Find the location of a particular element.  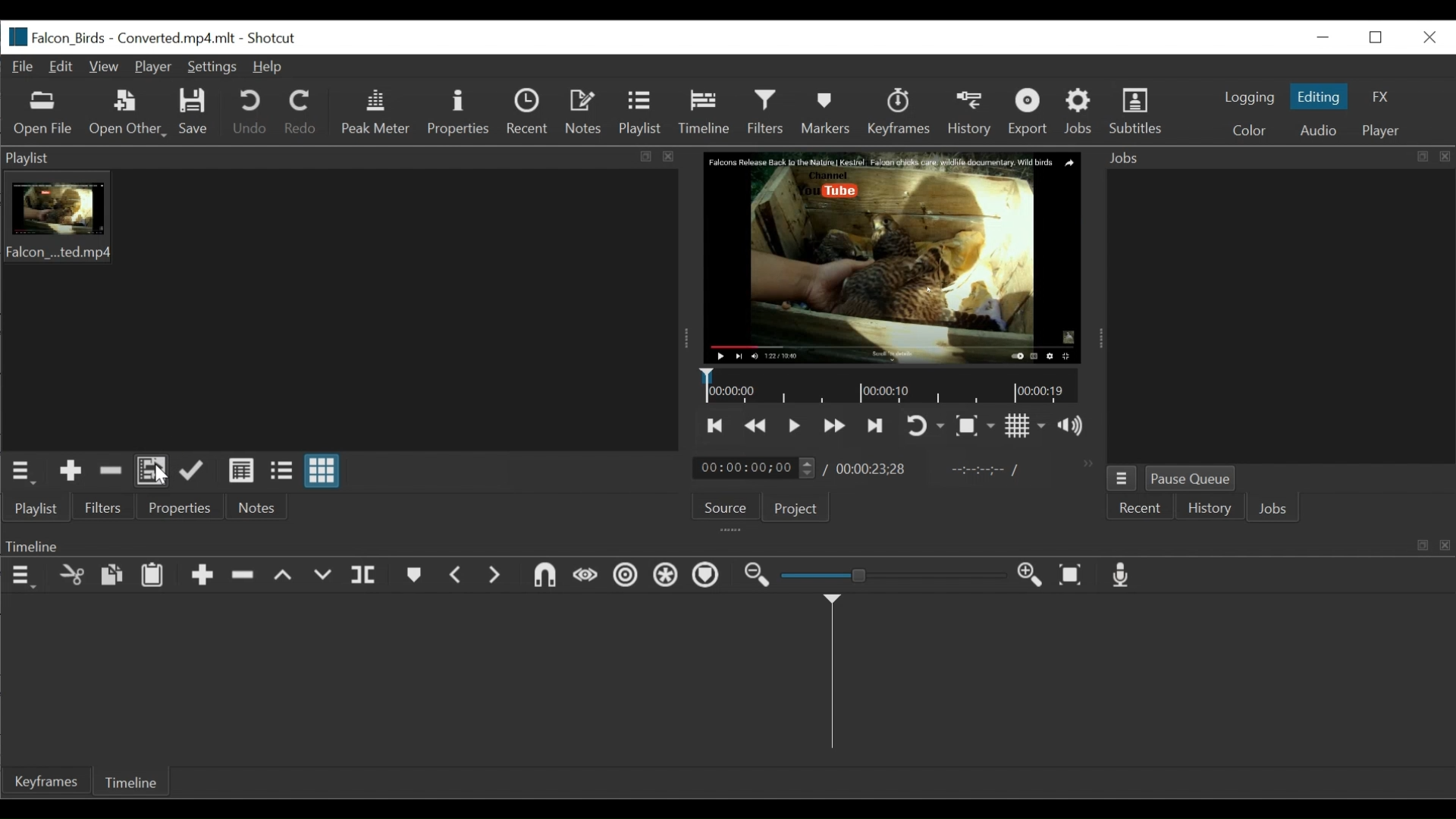

Adjust Zoom timeline Slider is located at coordinates (891, 576).